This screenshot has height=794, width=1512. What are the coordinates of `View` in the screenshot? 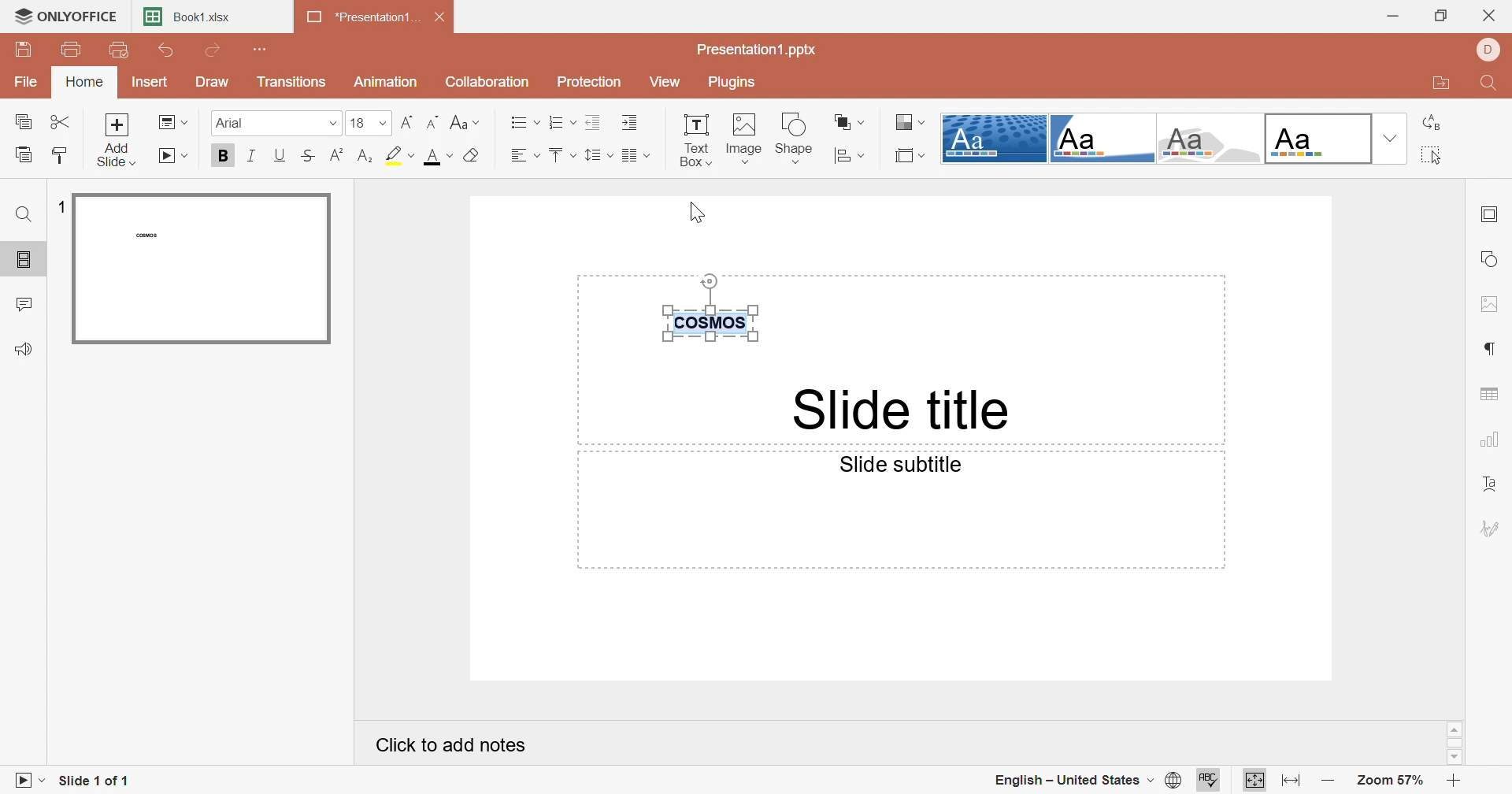 It's located at (662, 80).